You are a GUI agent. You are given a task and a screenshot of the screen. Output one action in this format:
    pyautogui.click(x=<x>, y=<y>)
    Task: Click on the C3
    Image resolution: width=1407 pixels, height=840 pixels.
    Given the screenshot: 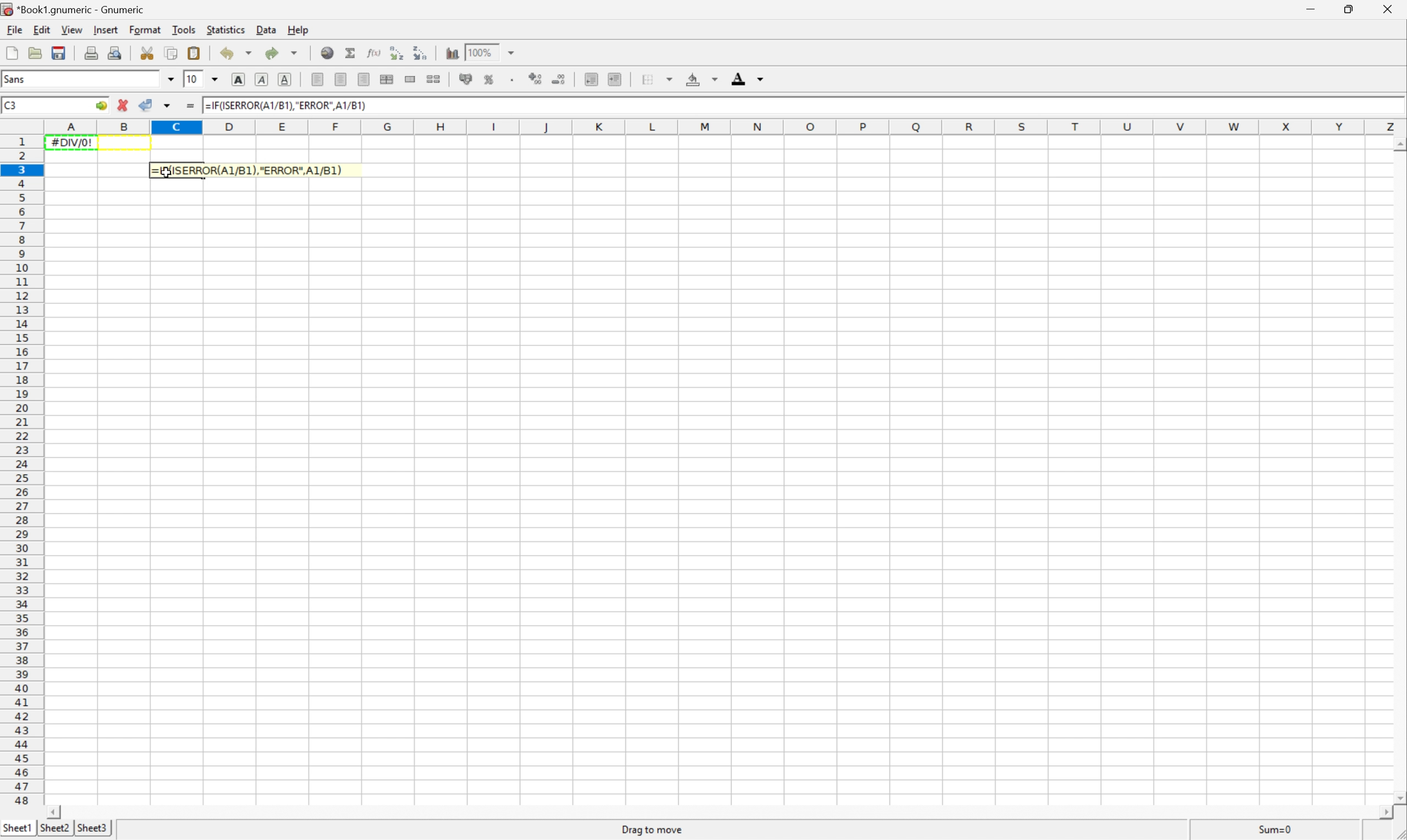 What is the action you would take?
    pyautogui.click(x=13, y=104)
    